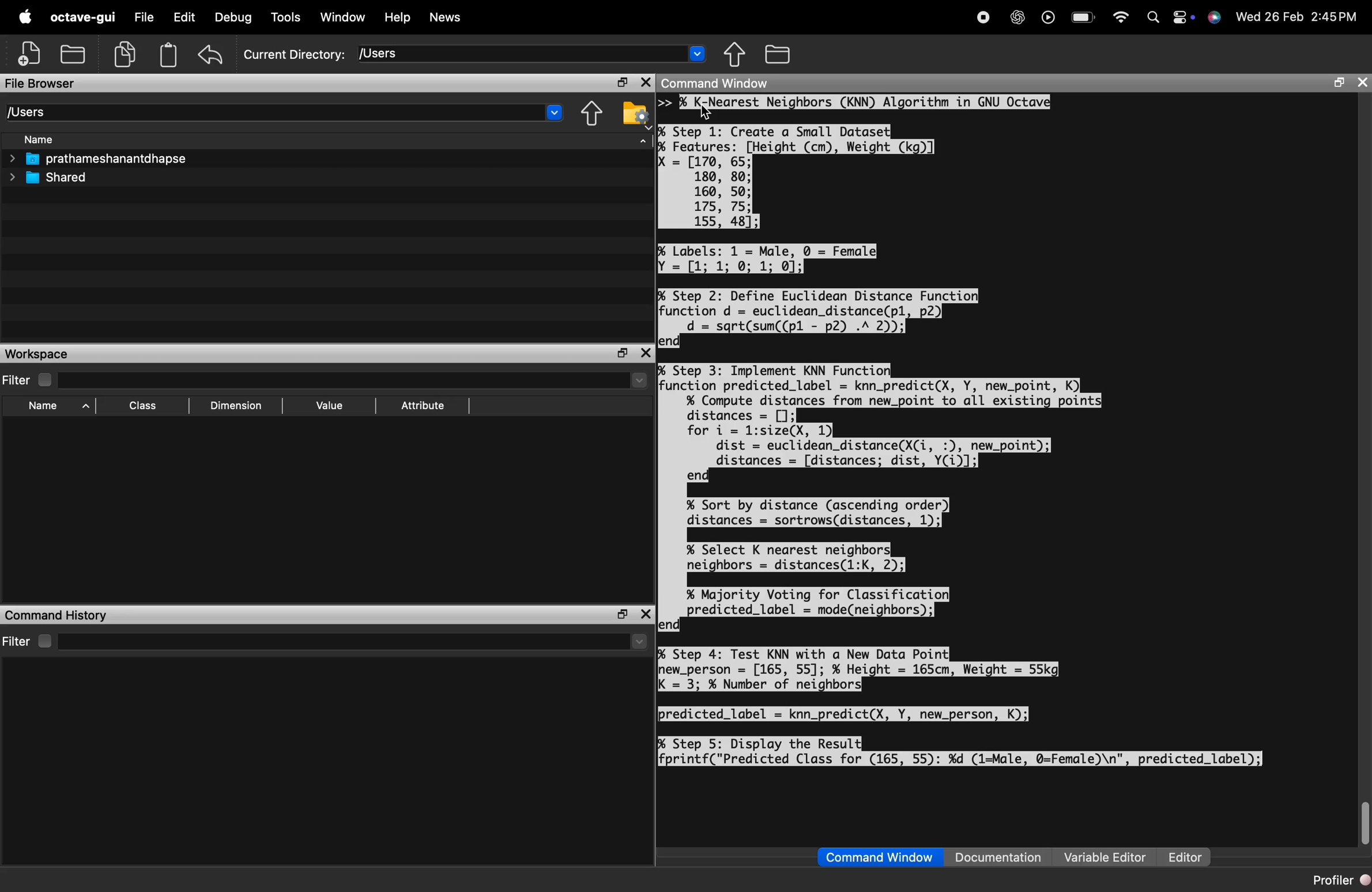 The width and height of the screenshot is (1372, 892). I want to click on cursor, so click(703, 115).